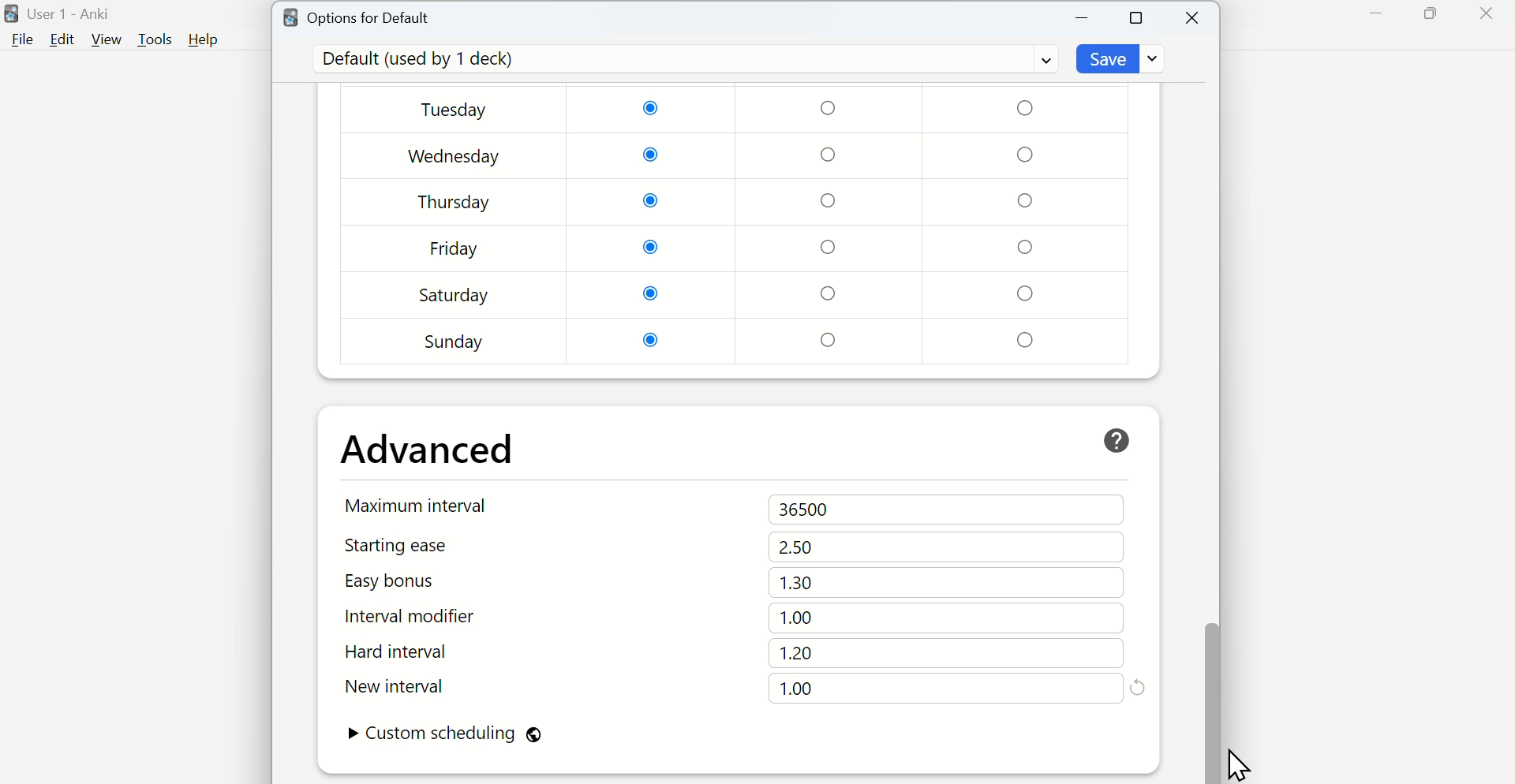  Describe the element at coordinates (1486, 14) in the screenshot. I see `Close` at that location.